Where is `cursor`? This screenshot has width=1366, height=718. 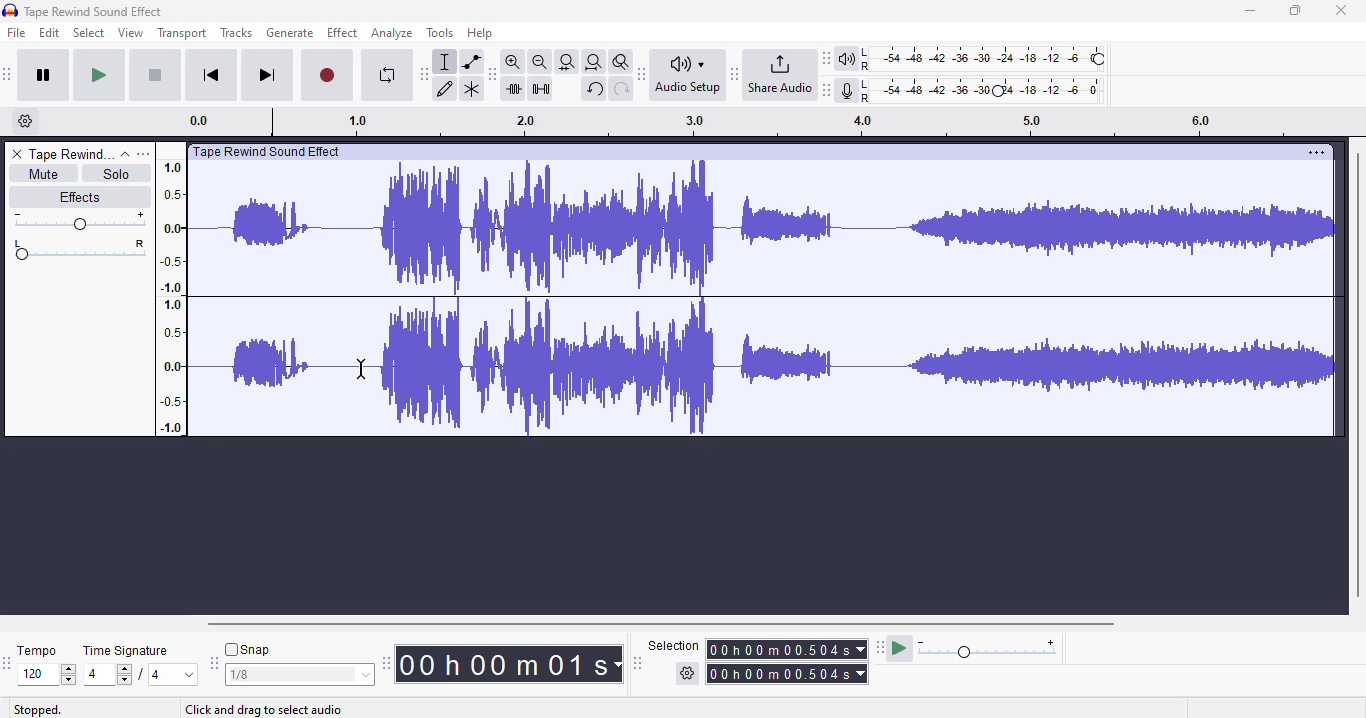 cursor is located at coordinates (361, 368).